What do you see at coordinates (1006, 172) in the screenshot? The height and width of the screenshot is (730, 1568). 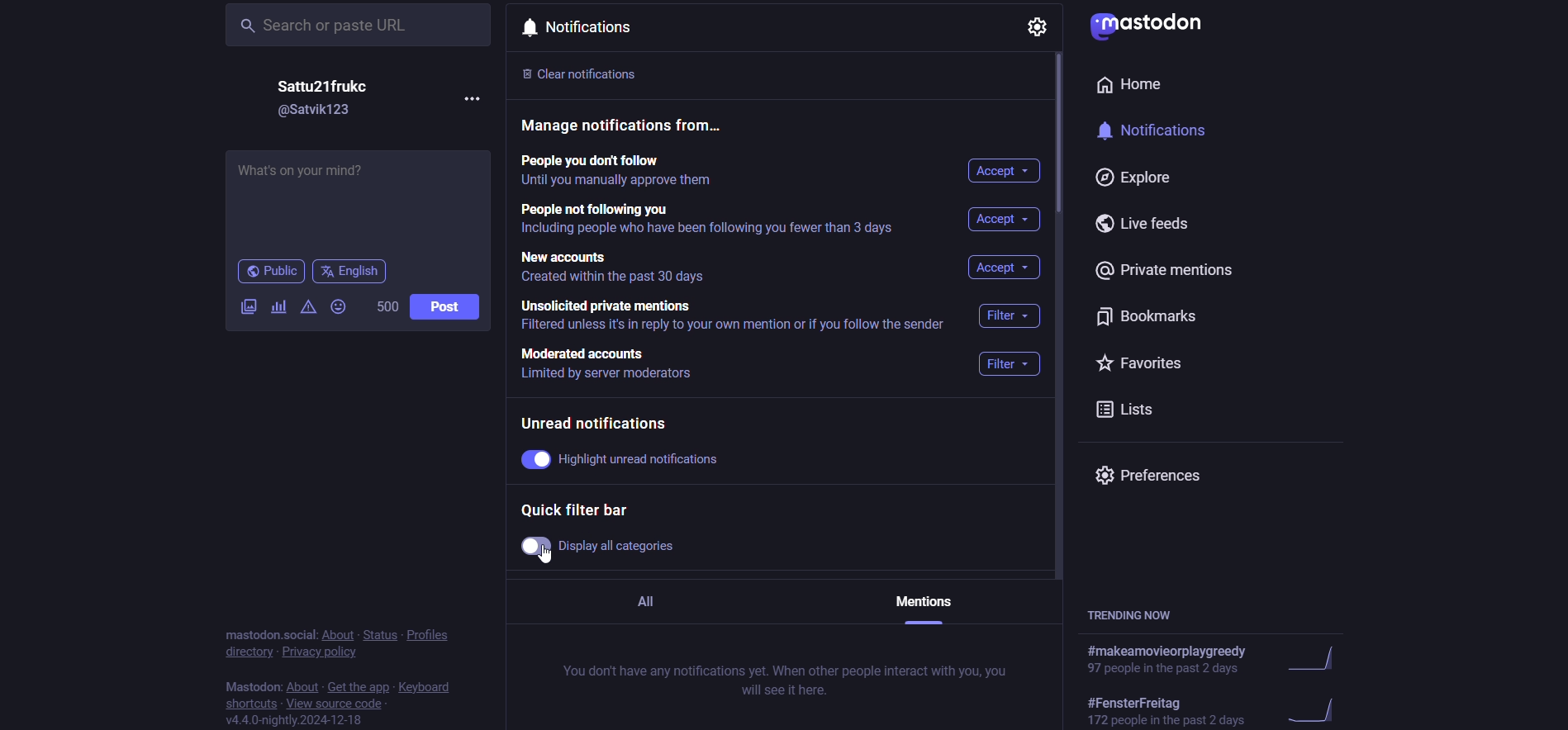 I see `Accept` at bounding box center [1006, 172].